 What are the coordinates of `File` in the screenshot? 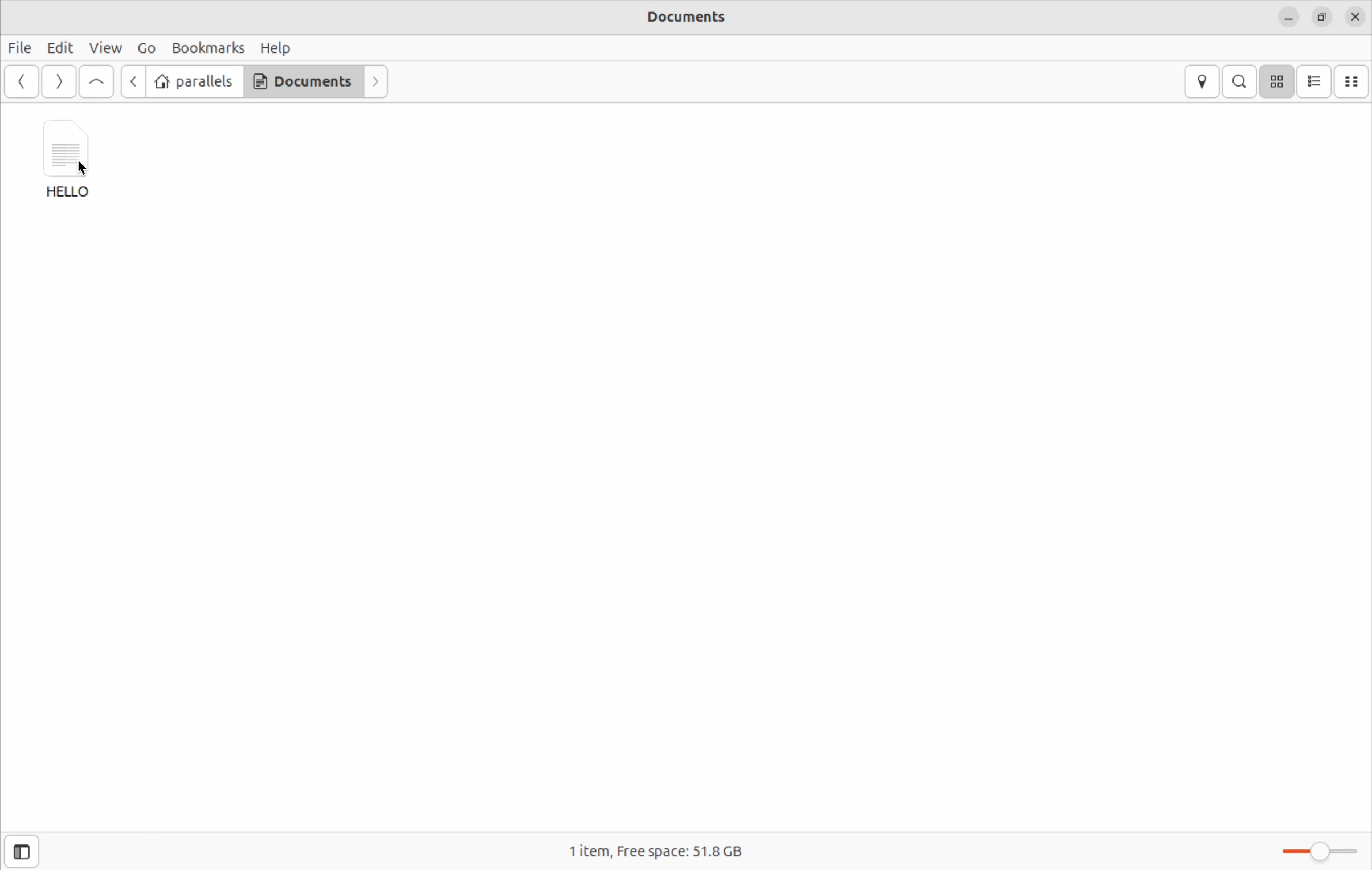 It's located at (19, 48).